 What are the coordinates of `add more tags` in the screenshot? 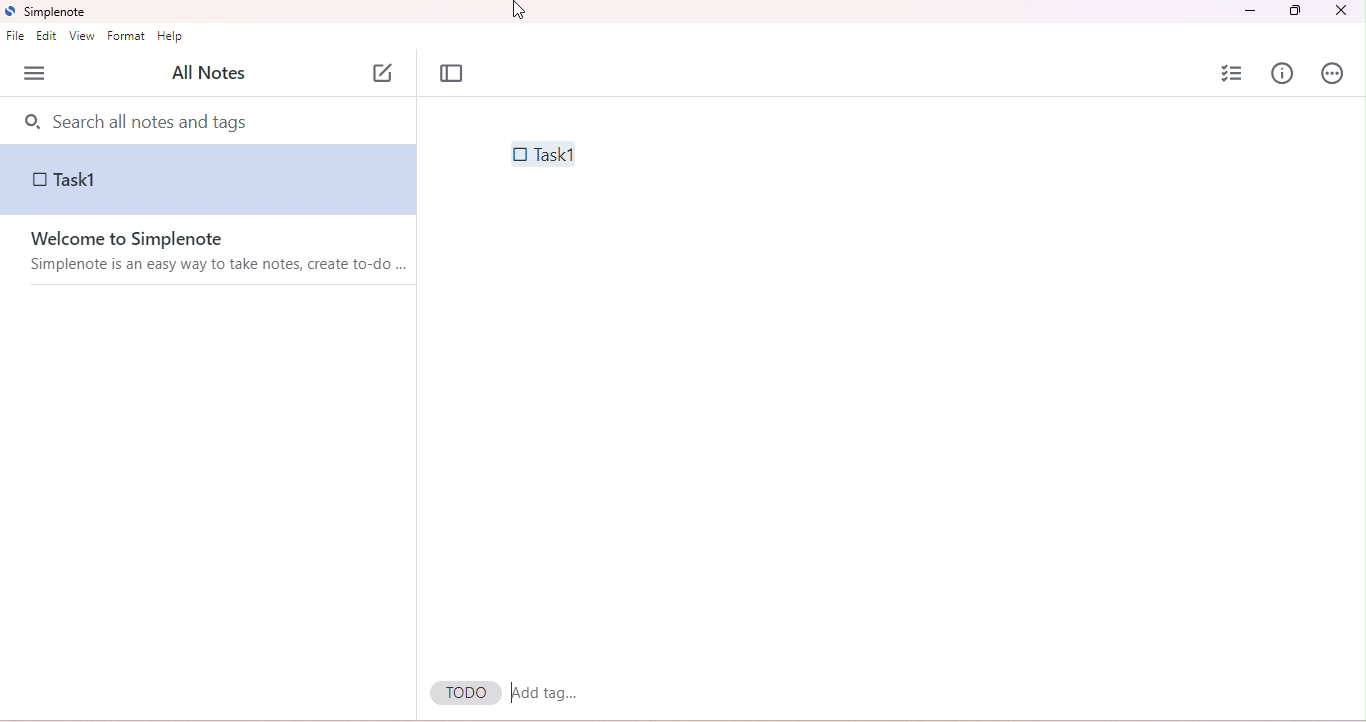 It's located at (546, 694).